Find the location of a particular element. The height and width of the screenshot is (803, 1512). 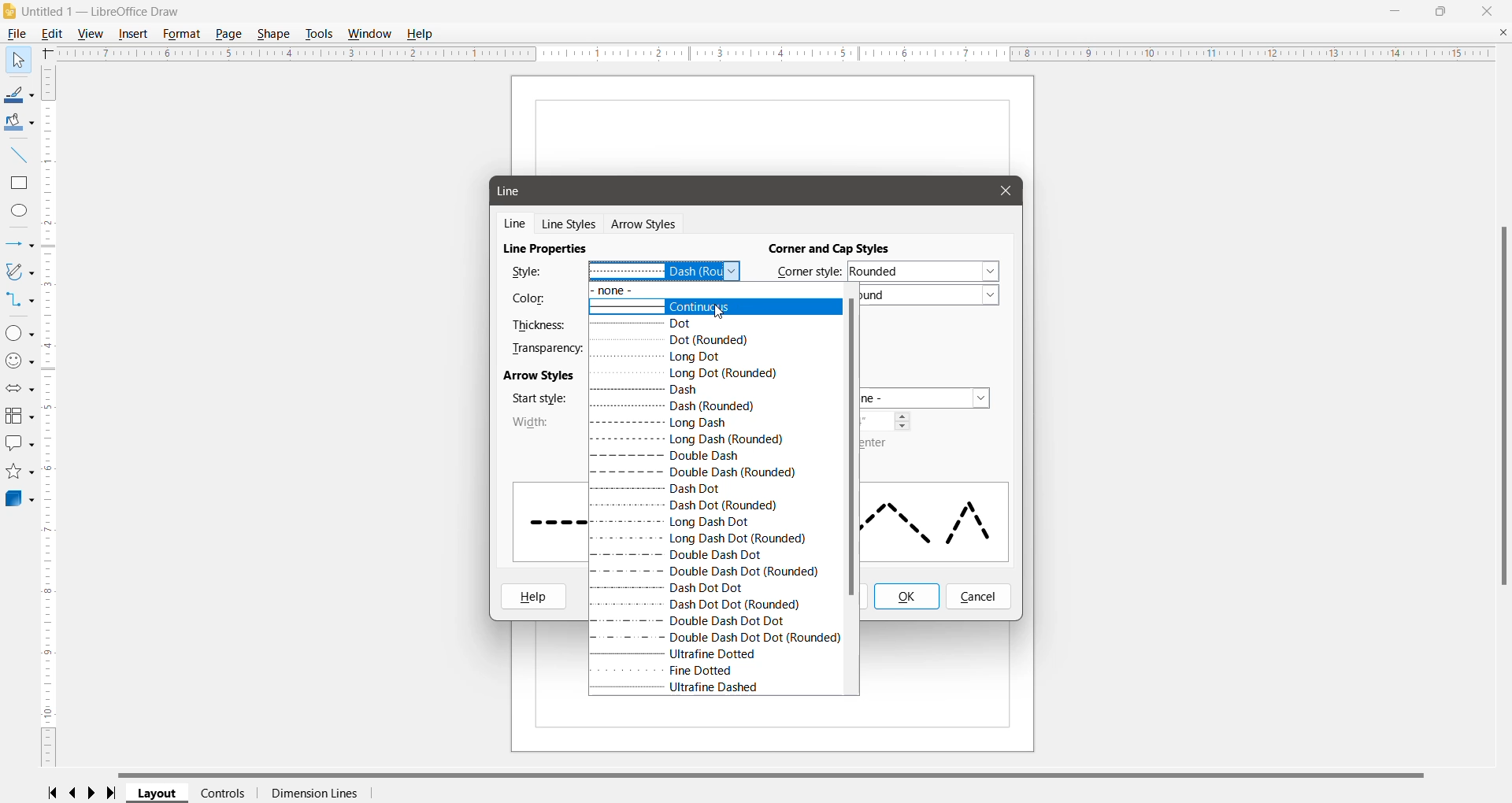

Close Document is located at coordinates (1503, 32).